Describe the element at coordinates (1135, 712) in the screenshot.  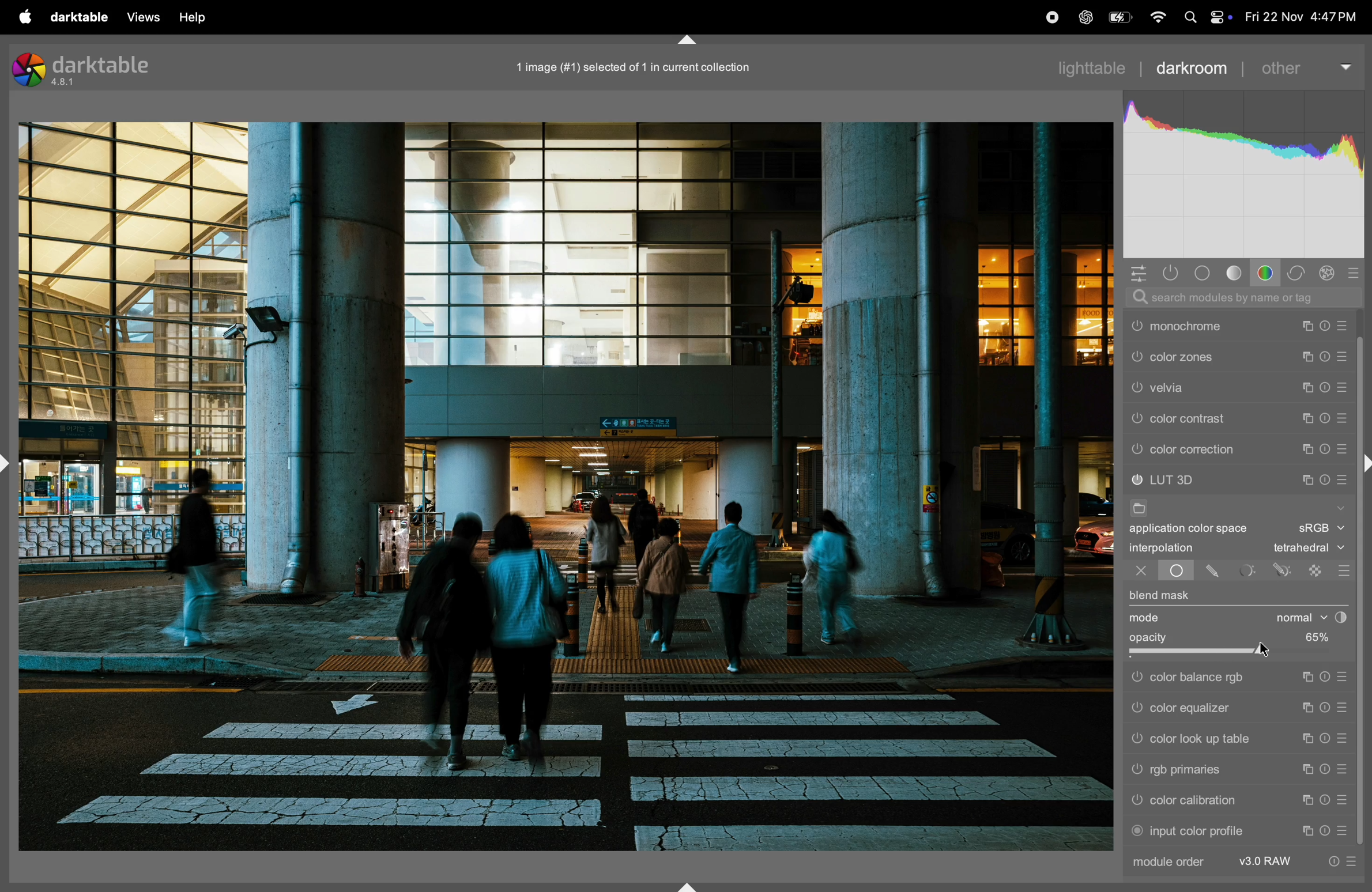
I see `color equalizer switched off` at that location.